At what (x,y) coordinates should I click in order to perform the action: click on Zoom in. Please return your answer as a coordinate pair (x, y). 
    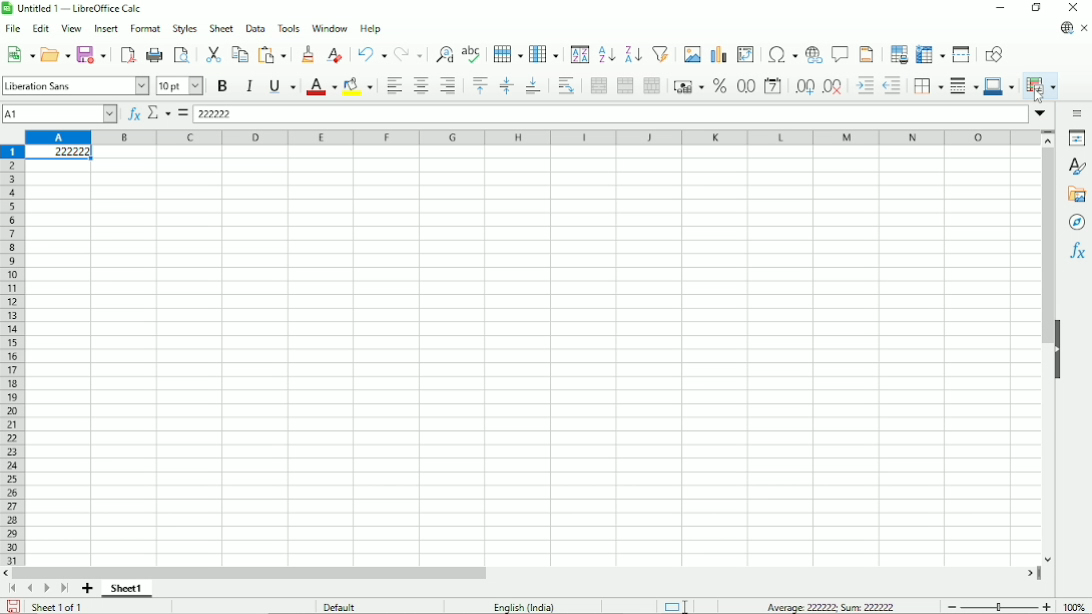
    Looking at the image, I should click on (1046, 606).